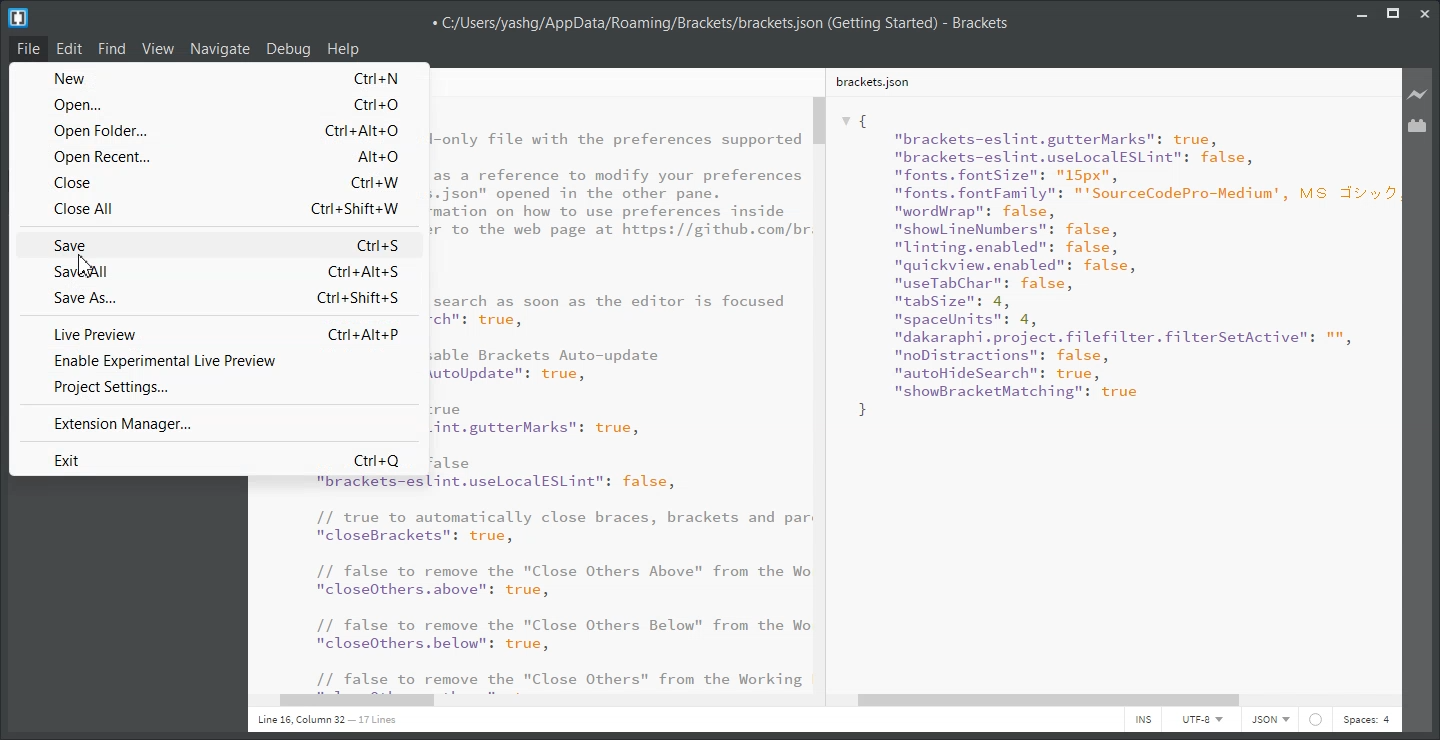 Image resolution: width=1440 pixels, height=740 pixels. I want to click on C:/Users/yashg/AppData/Roaming/Brackets/brackets,json (Getting Started) - Brackets, so click(722, 23).